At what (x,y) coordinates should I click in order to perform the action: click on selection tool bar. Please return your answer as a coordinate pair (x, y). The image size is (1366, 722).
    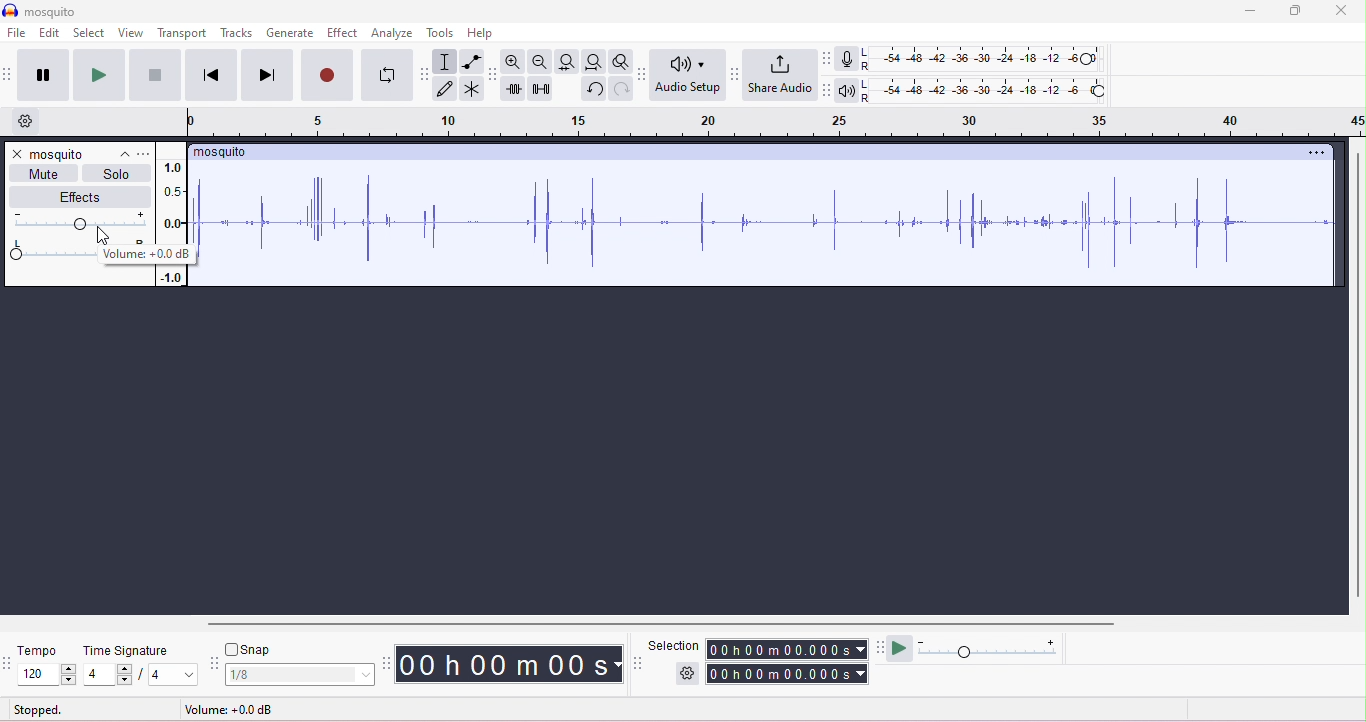
    Looking at the image, I should click on (637, 663).